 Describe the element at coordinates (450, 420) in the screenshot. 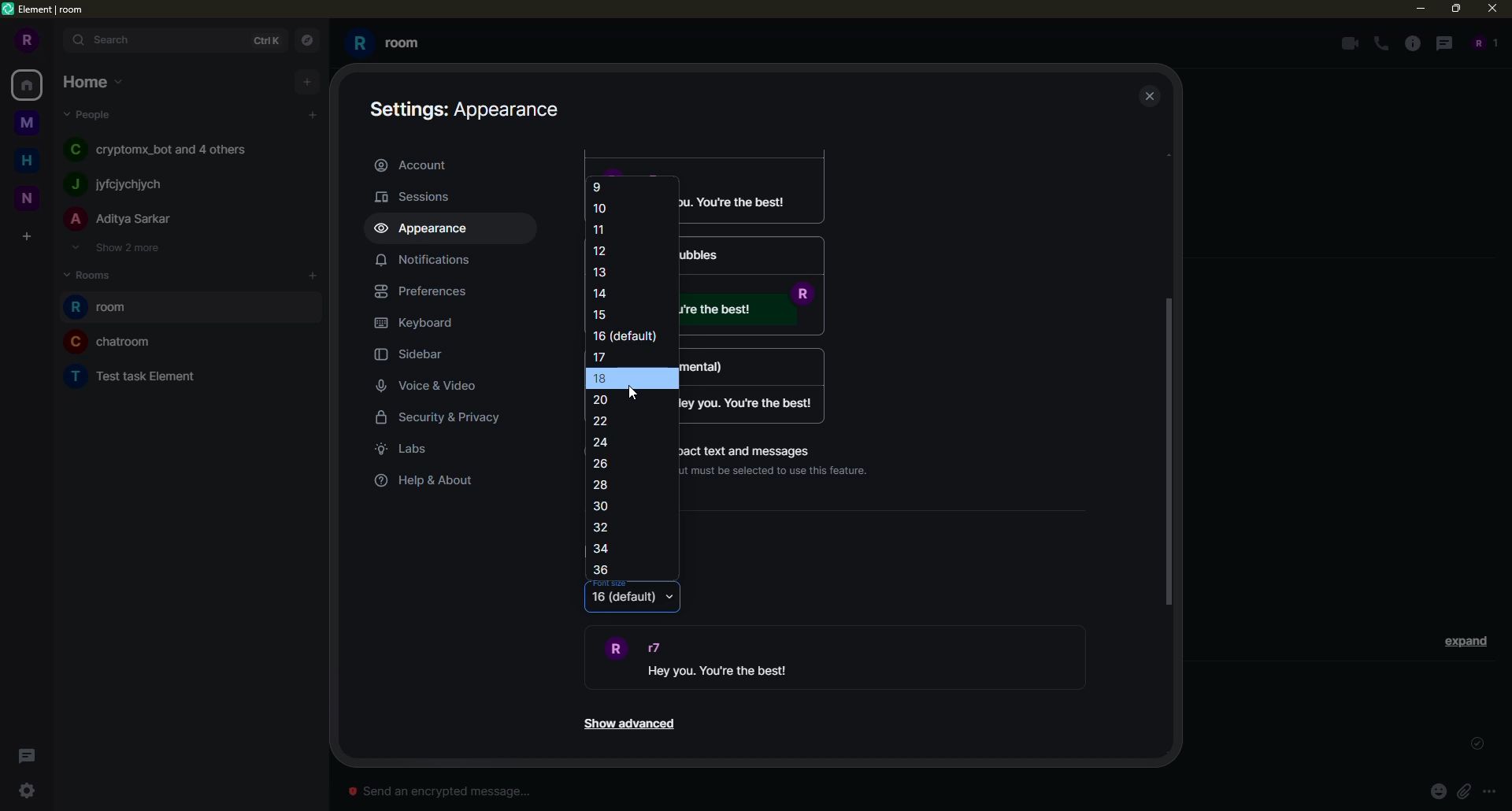

I see `security & privacy` at that location.